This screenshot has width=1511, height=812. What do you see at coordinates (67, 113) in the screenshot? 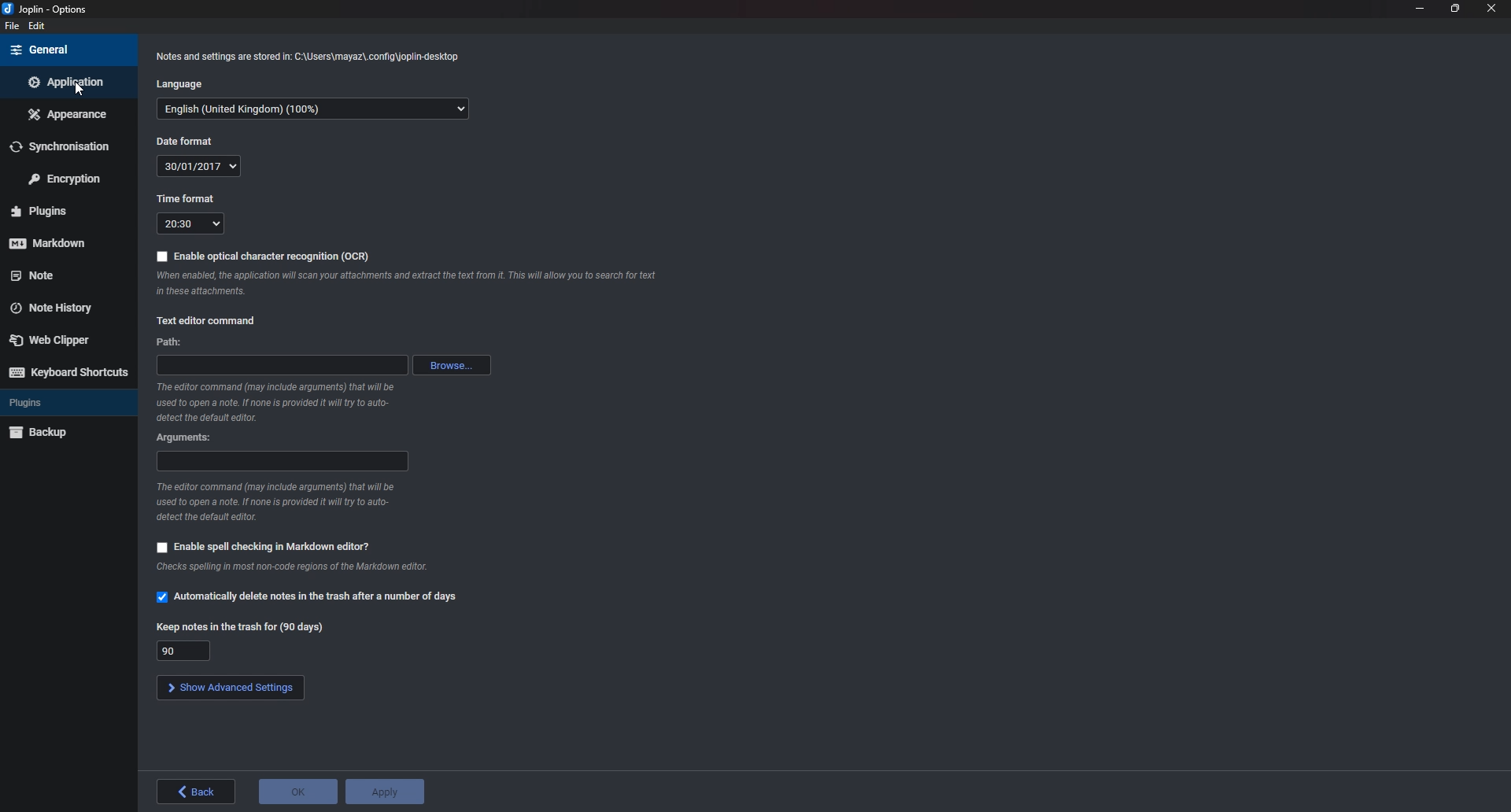
I see `Appearance` at bounding box center [67, 113].